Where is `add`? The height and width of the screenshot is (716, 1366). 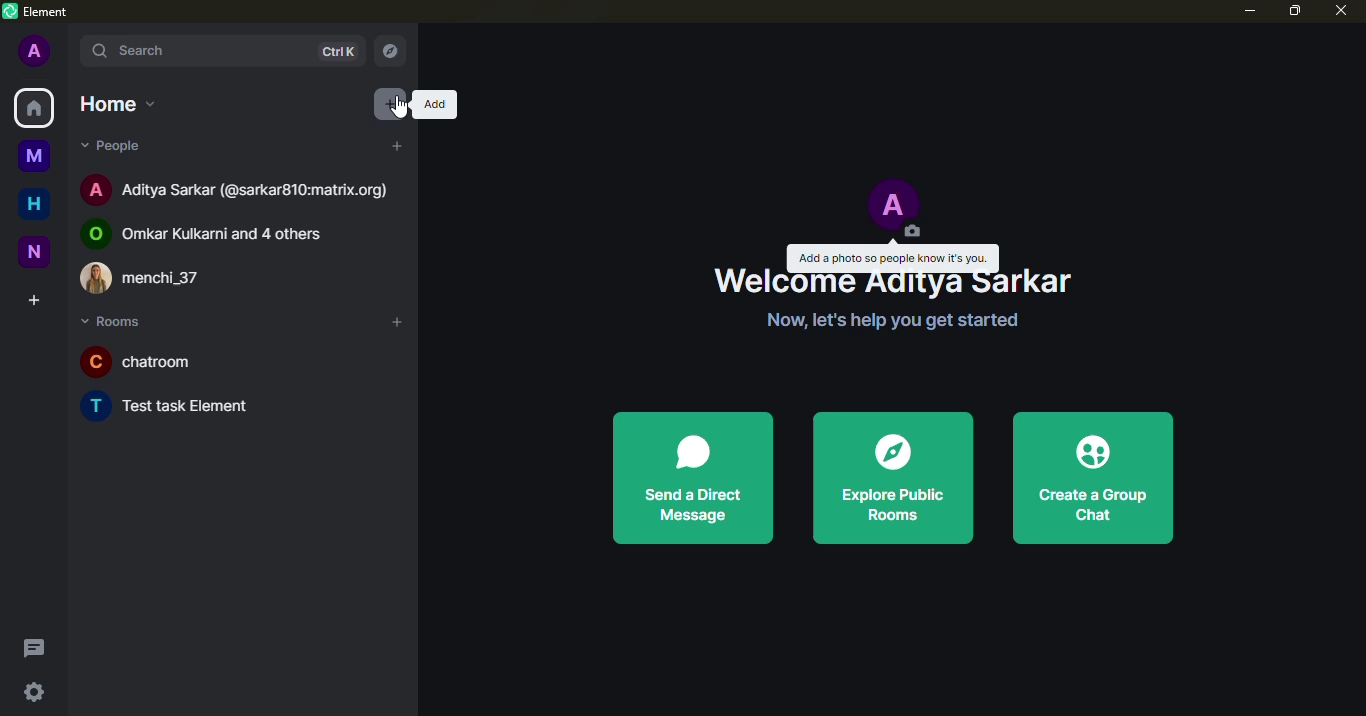
add is located at coordinates (398, 145).